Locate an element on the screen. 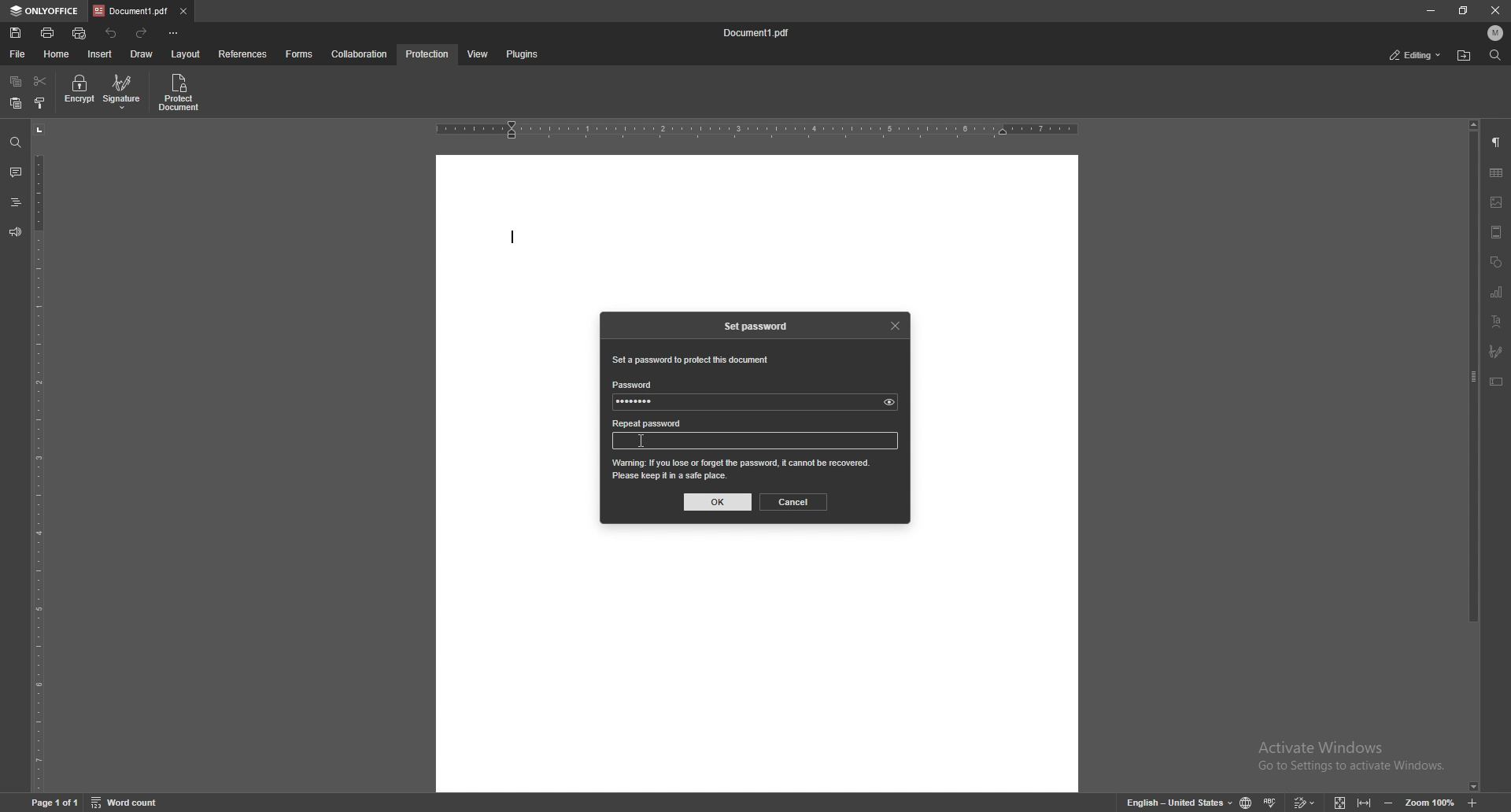 This screenshot has width=1511, height=812. zoom in is located at coordinates (1474, 801).